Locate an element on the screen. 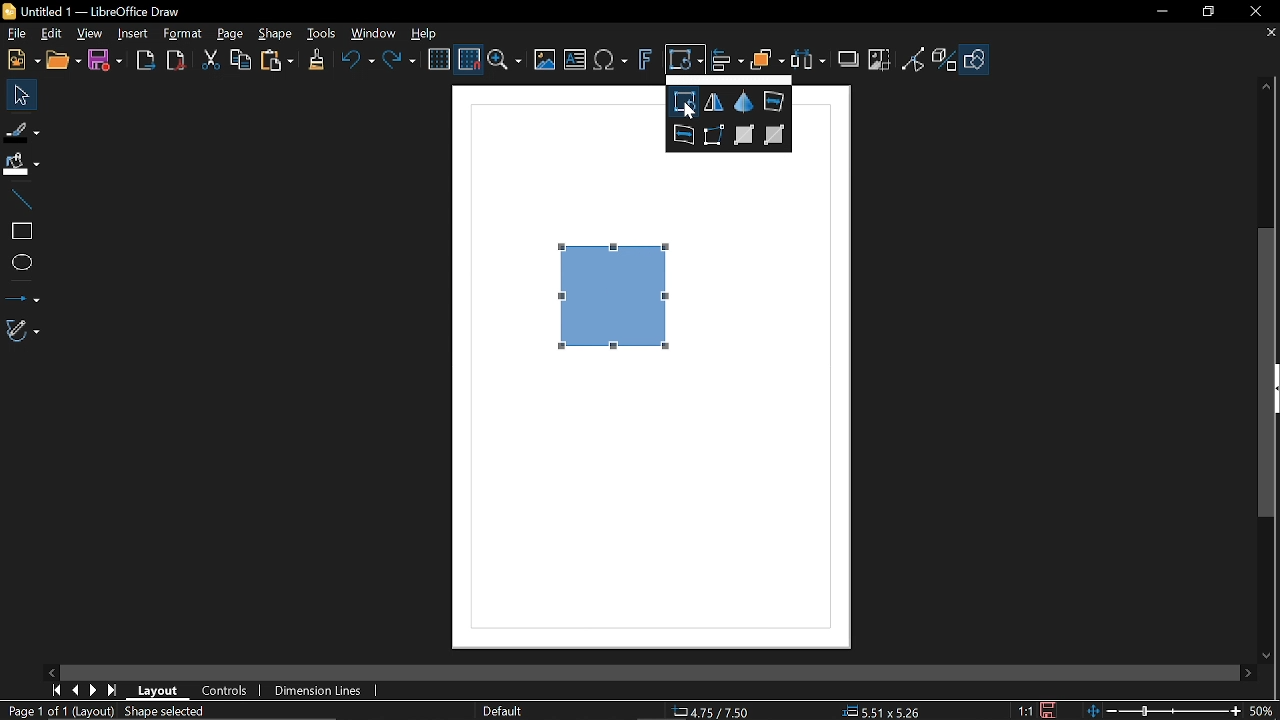 Image resolution: width=1280 pixels, height=720 pixels. Rectangle (selected diagram) is located at coordinates (616, 295).